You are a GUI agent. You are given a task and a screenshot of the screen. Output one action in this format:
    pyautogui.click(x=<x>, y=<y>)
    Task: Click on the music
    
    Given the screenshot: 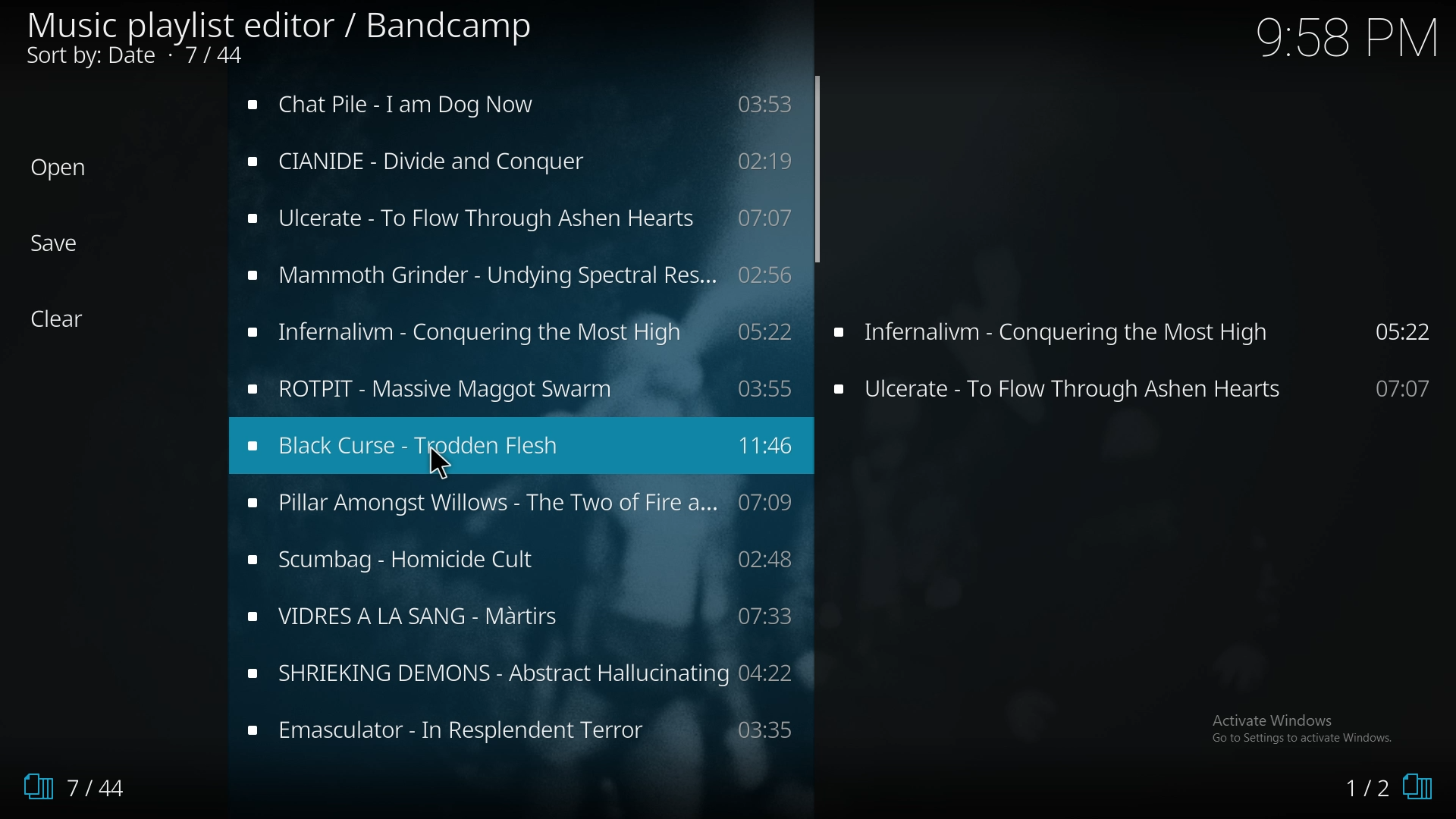 What is the action you would take?
    pyautogui.click(x=521, y=447)
    